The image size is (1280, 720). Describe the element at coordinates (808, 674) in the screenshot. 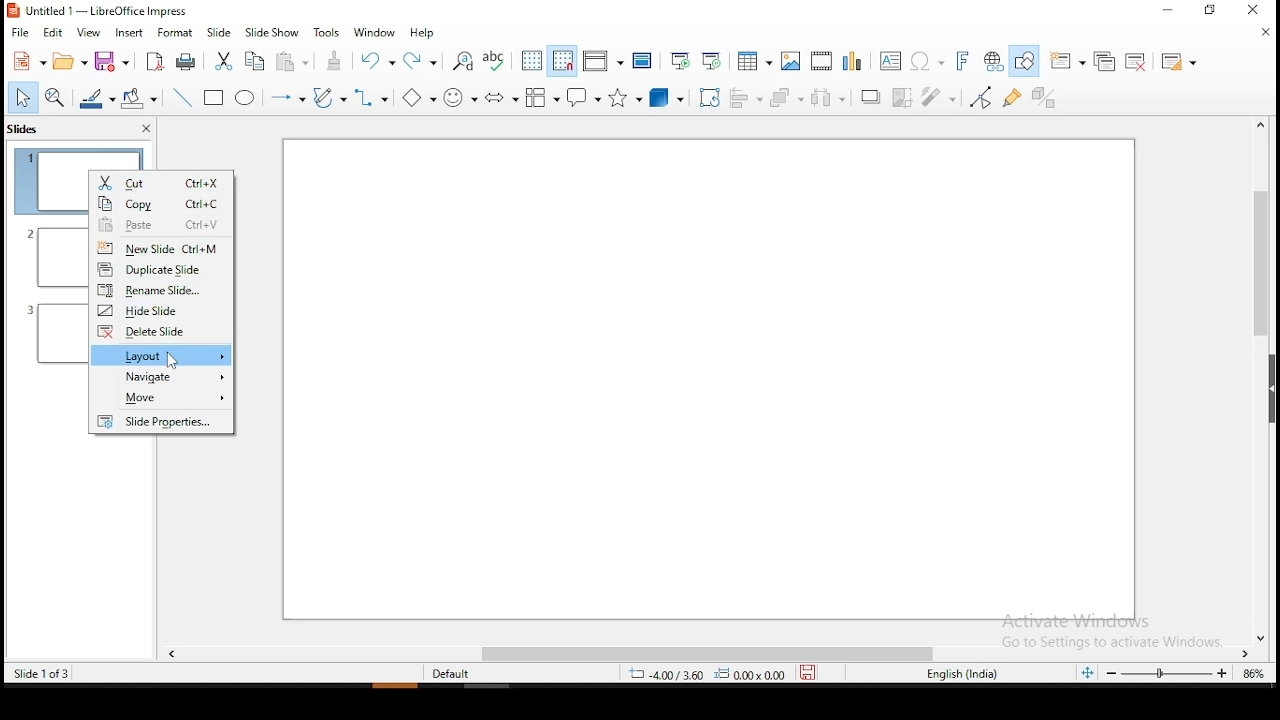

I see `save` at that location.